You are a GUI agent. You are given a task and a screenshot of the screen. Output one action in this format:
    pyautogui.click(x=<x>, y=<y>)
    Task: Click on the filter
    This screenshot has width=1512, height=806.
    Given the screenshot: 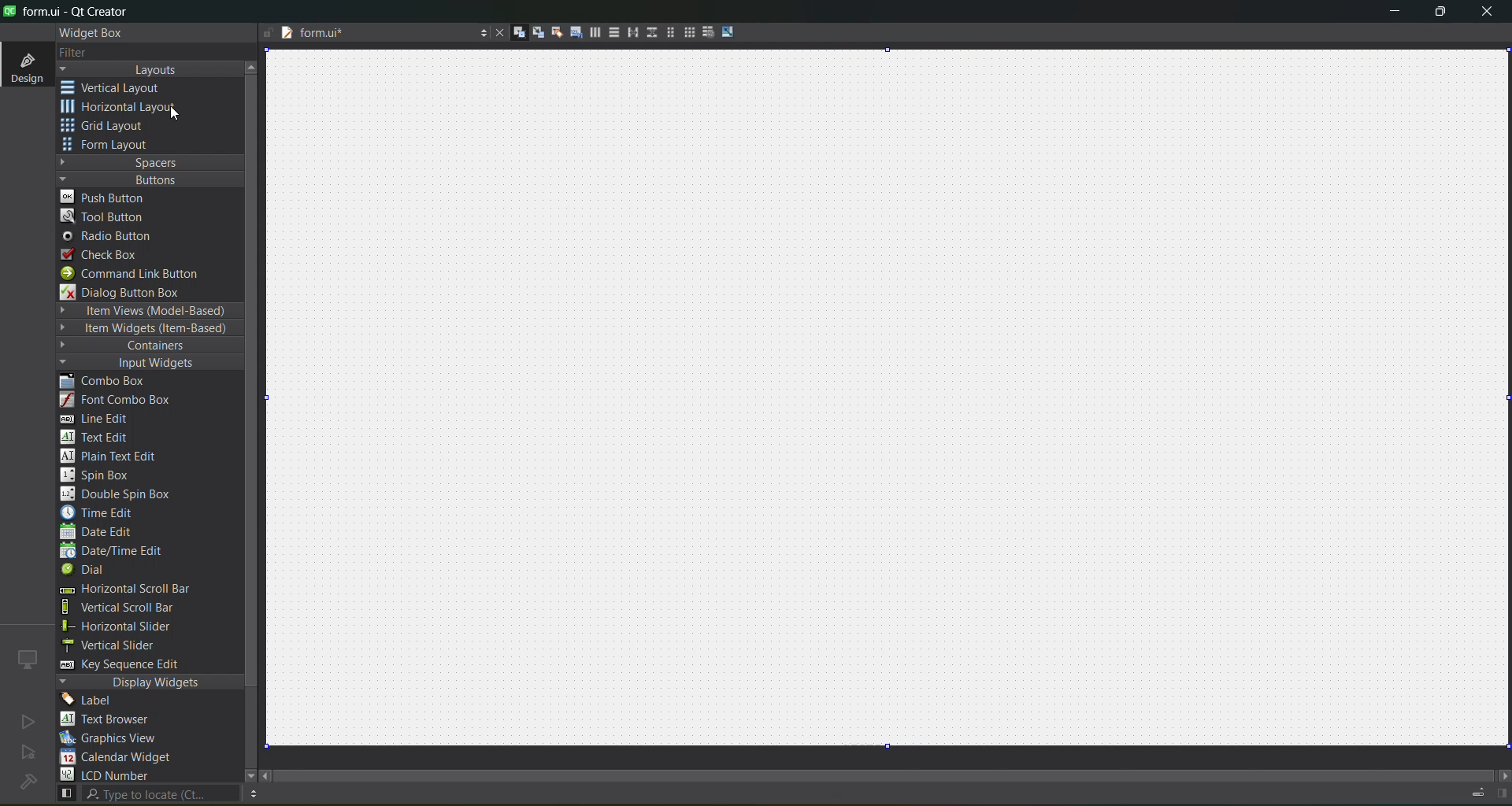 What is the action you would take?
    pyautogui.click(x=85, y=54)
    